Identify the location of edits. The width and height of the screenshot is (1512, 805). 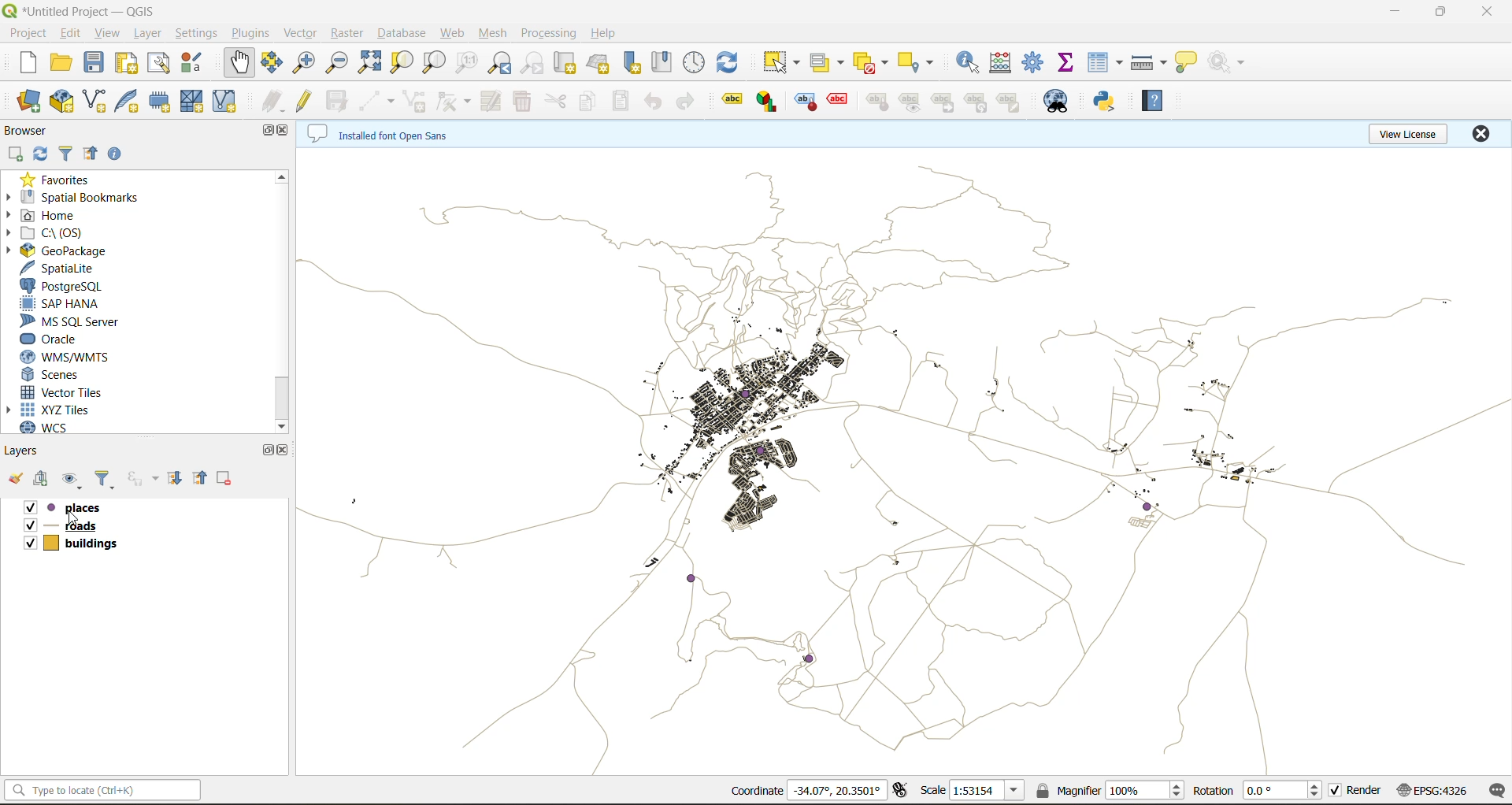
(275, 103).